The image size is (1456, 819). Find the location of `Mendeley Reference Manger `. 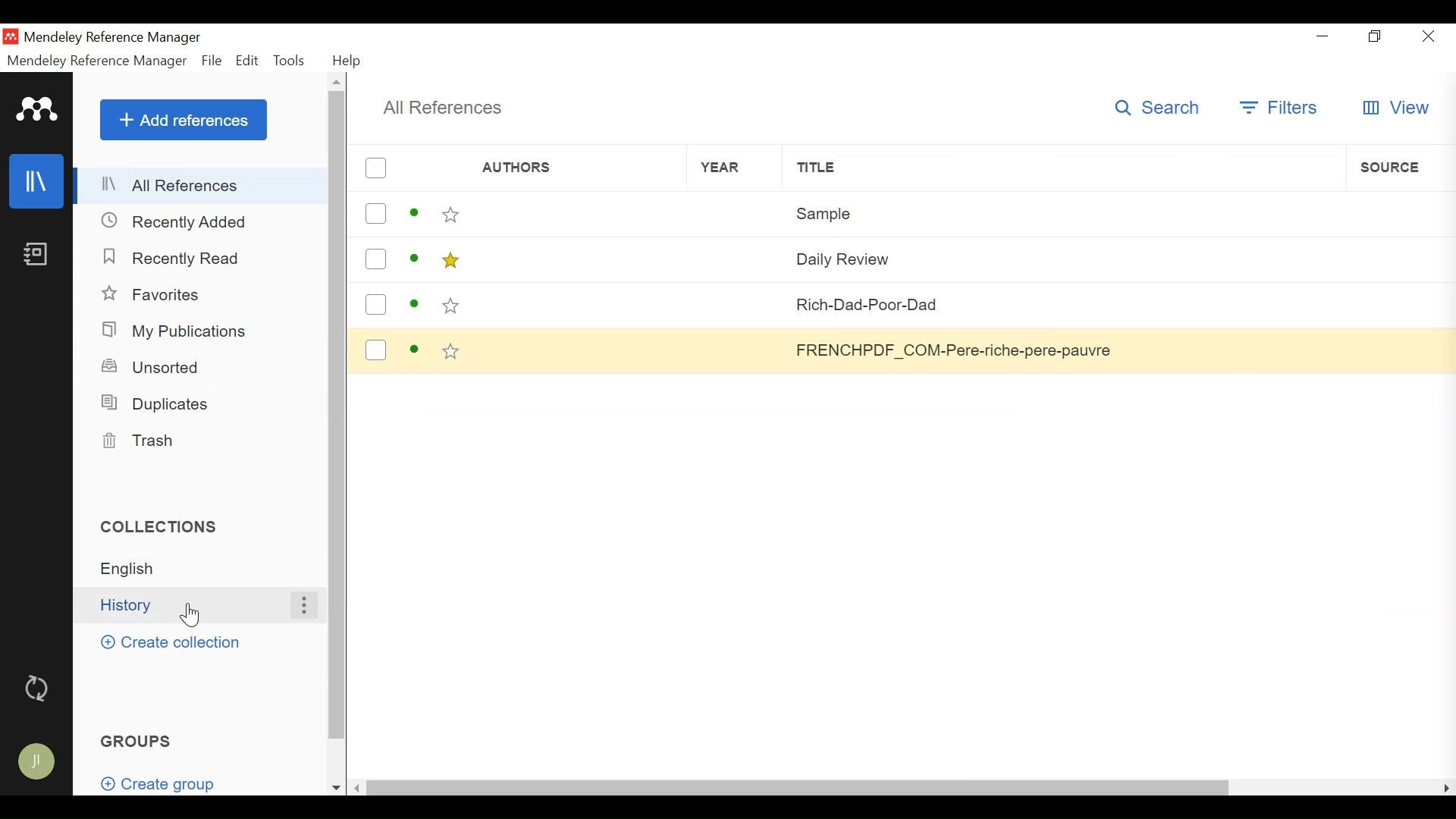

Mendeley Reference Manger  is located at coordinates (97, 61).